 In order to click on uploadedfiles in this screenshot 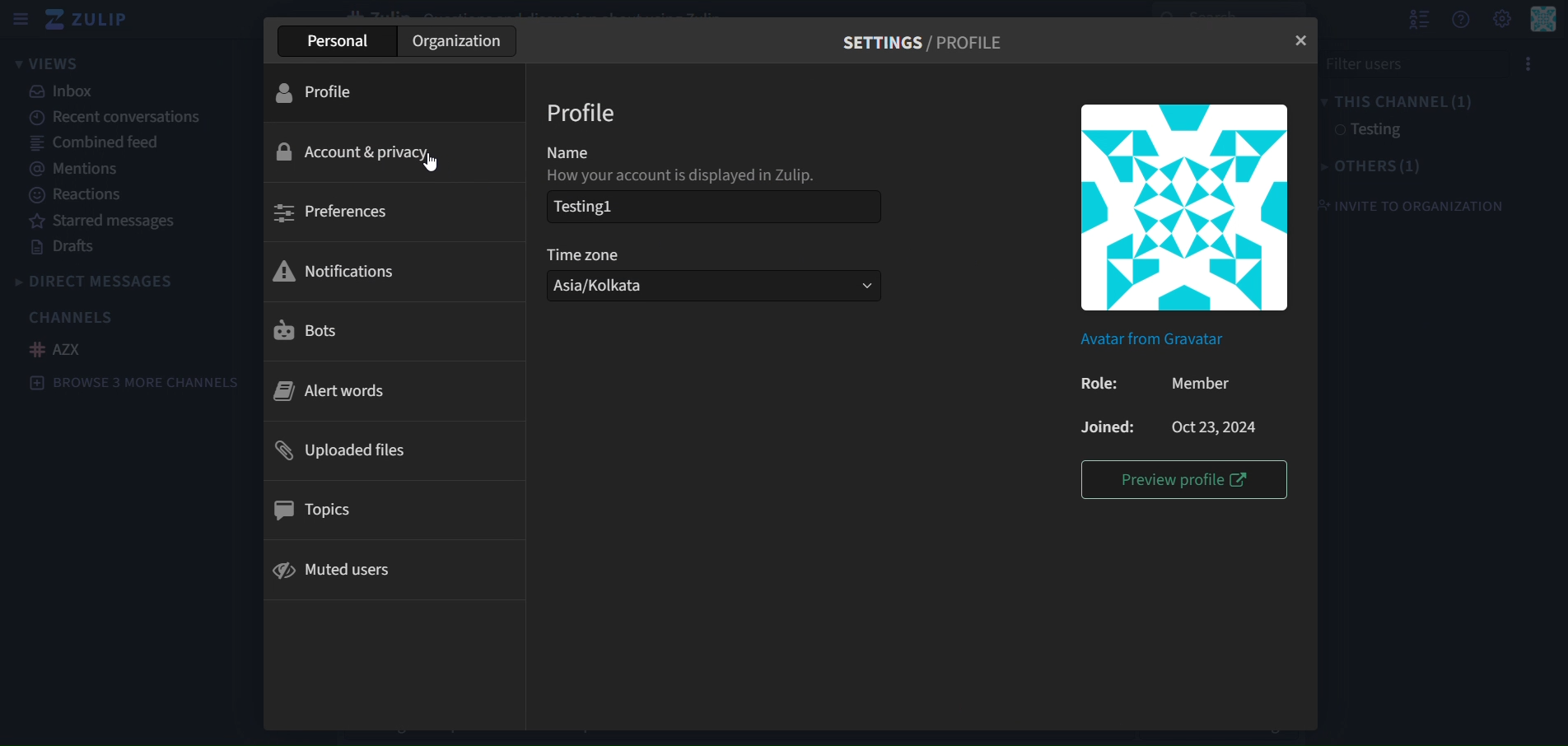, I will do `click(347, 452)`.